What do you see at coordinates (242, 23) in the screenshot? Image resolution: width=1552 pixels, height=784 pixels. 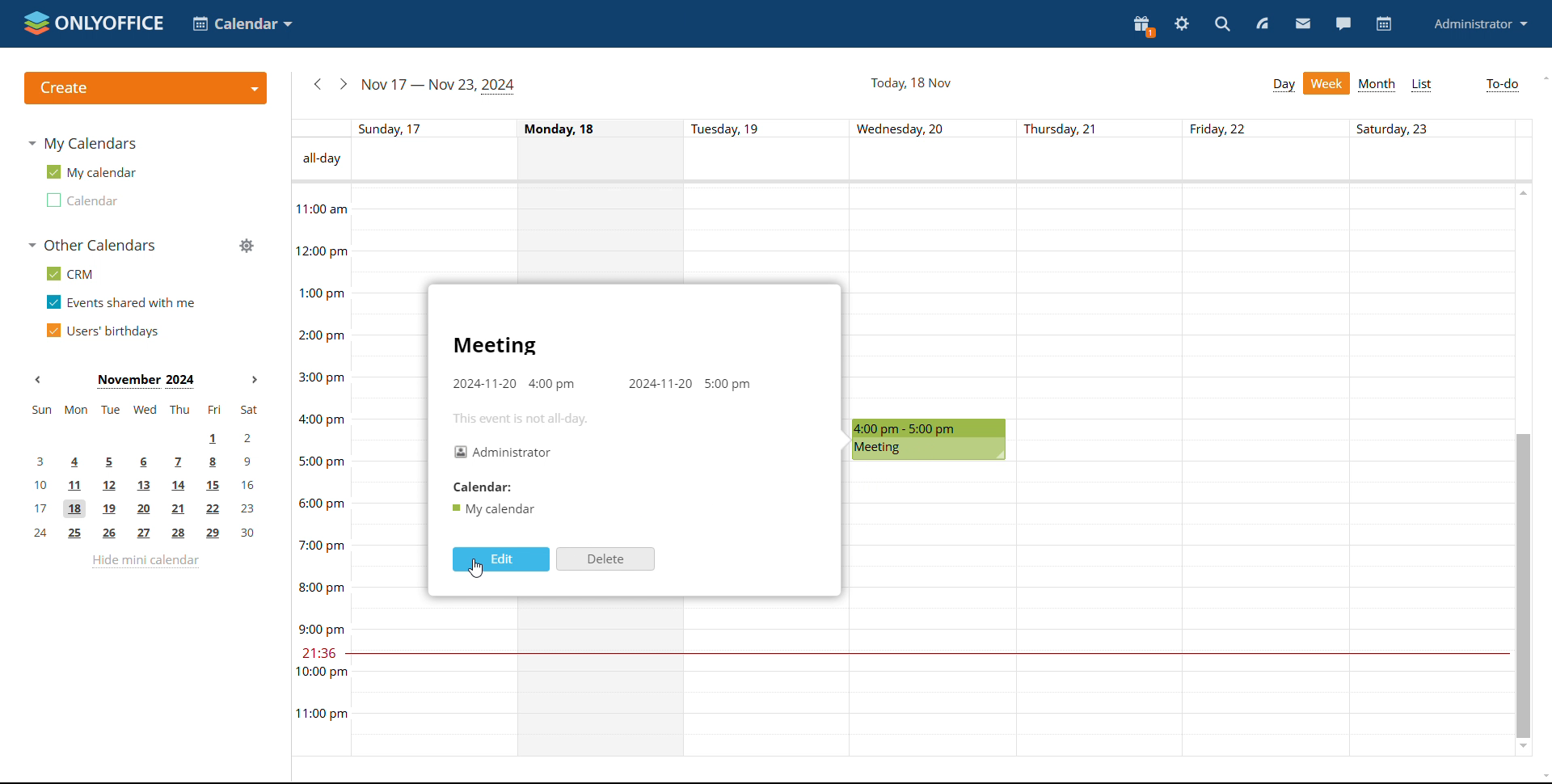 I see `select application` at bounding box center [242, 23].